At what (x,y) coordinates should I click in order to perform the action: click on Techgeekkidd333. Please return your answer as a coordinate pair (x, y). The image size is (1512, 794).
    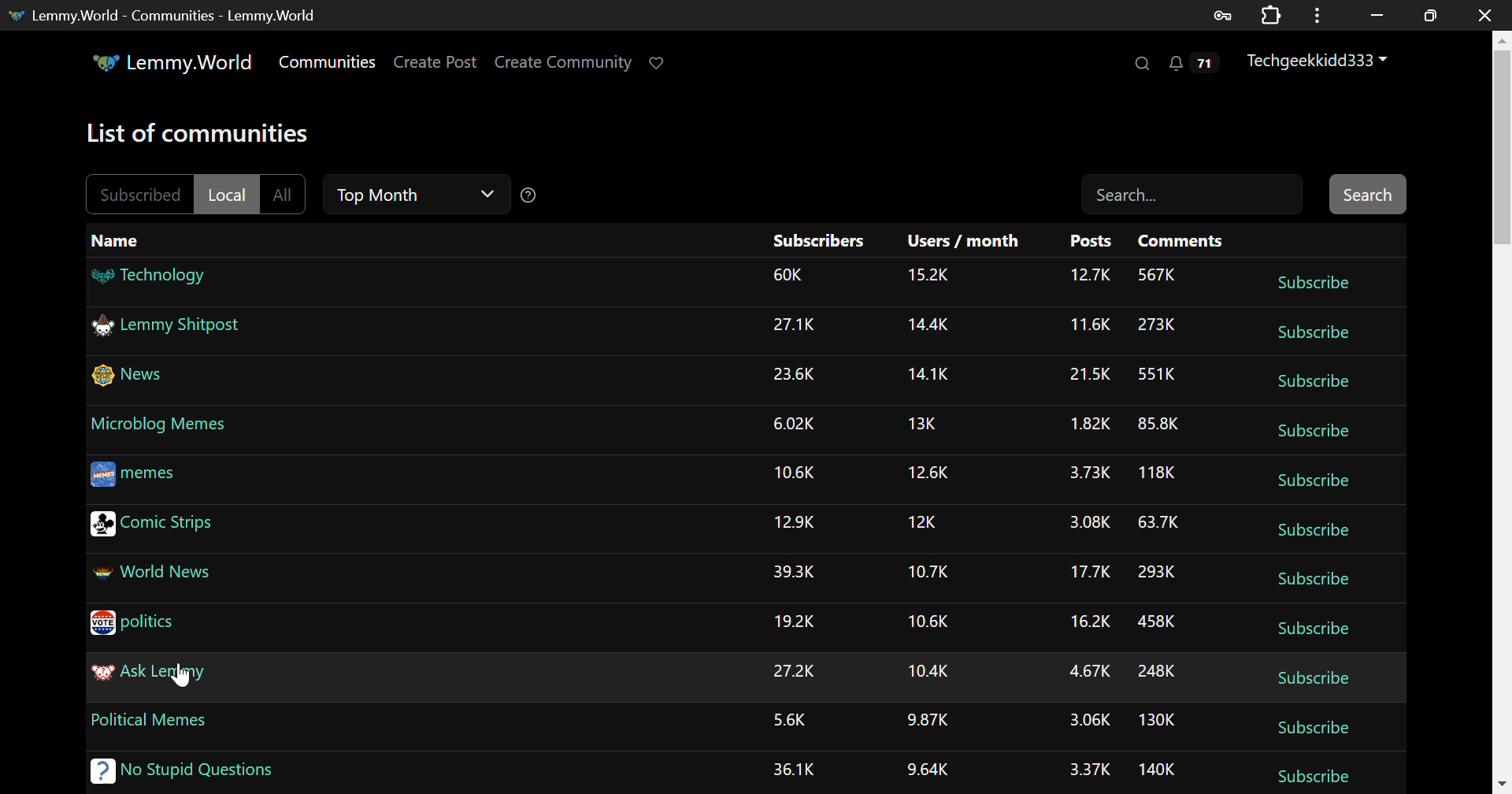
    Looking at the image, I should click on (1322, 63).